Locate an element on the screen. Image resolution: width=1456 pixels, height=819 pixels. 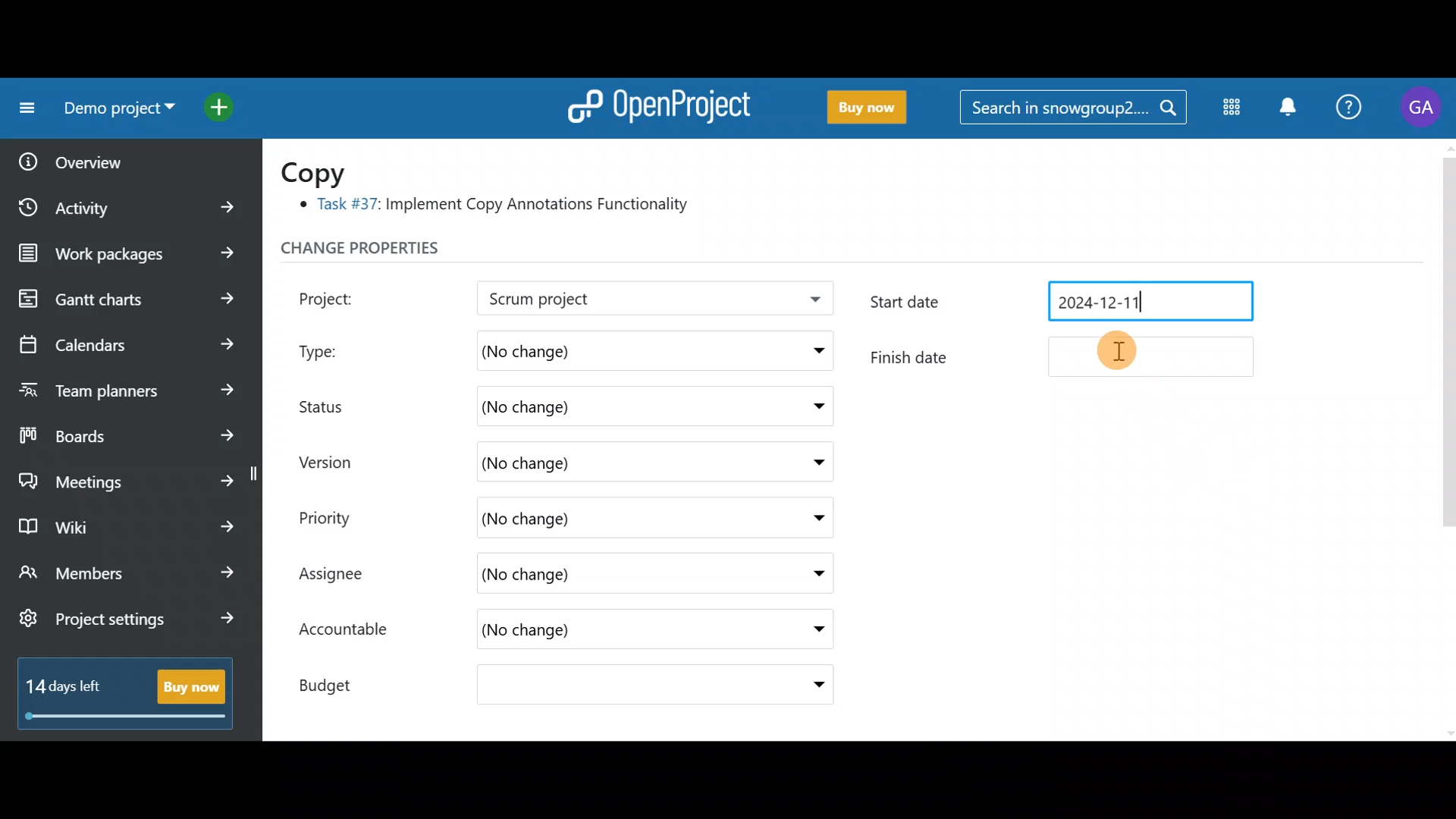
Wiki is located at coordinates (124, 522).